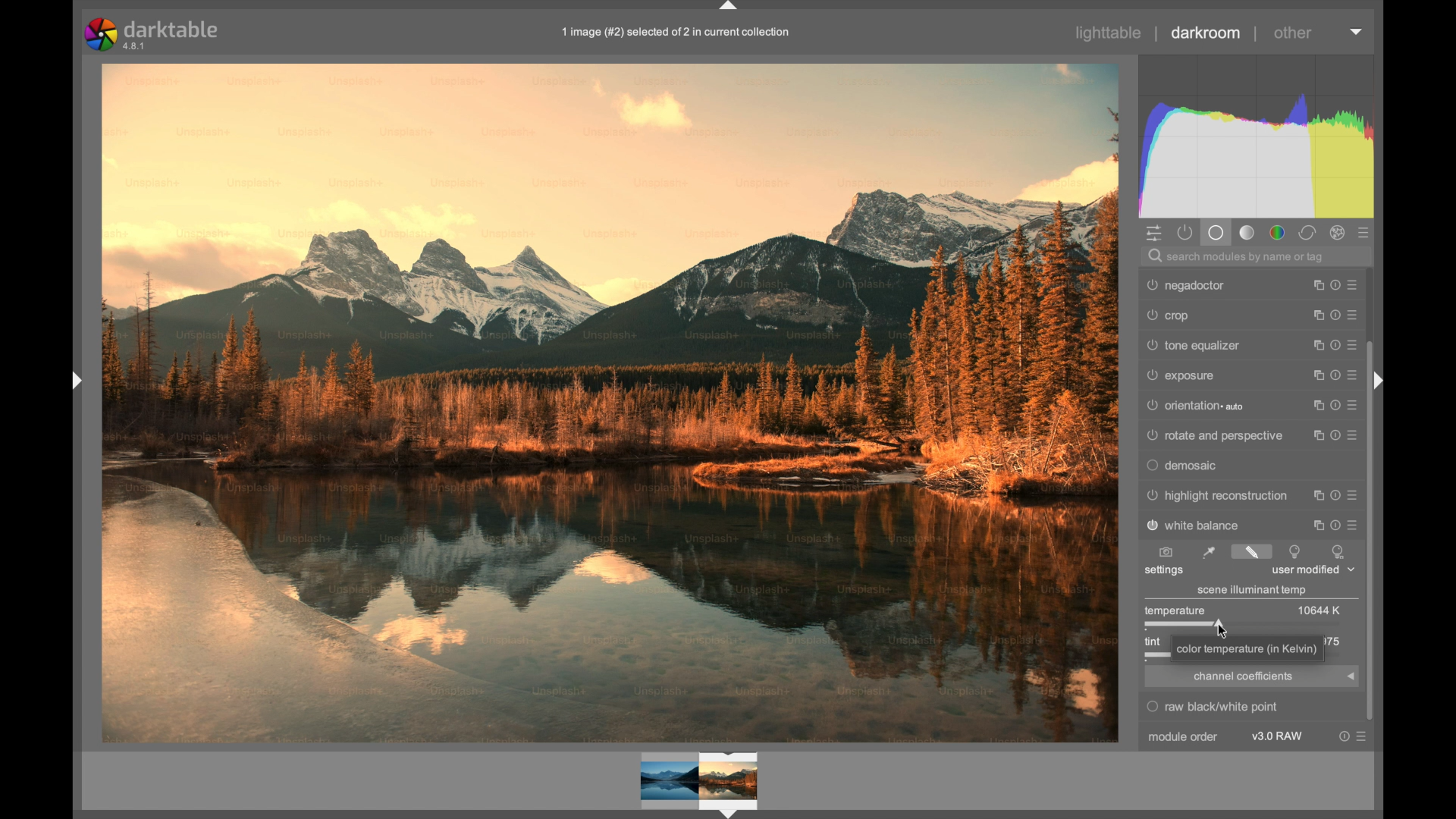 Image resolution: width=1456 pixels, height=819 pixels. I want to click on instance, so click(1316, 402).